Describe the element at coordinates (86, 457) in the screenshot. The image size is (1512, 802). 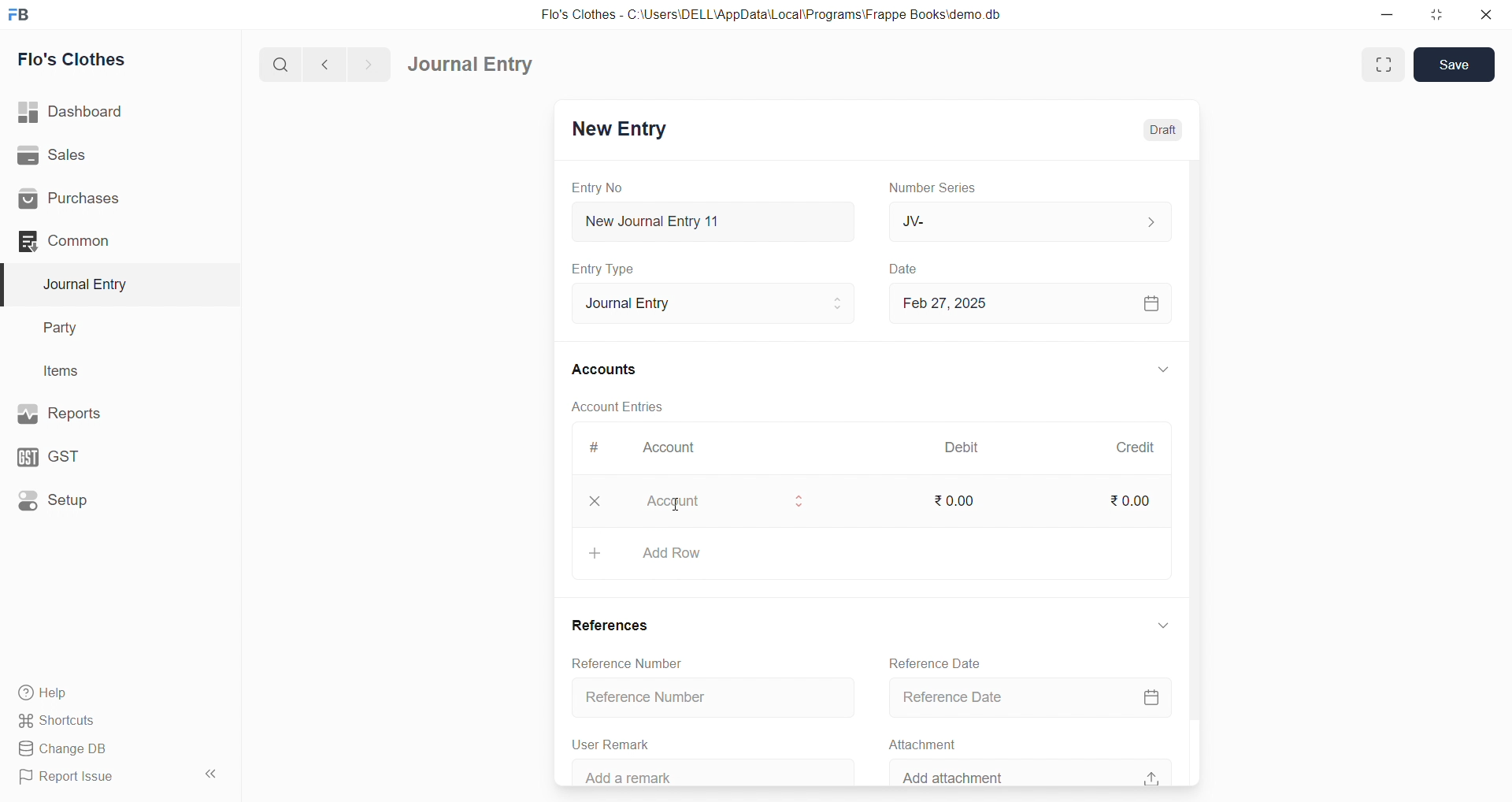
I see `GST` at that location.